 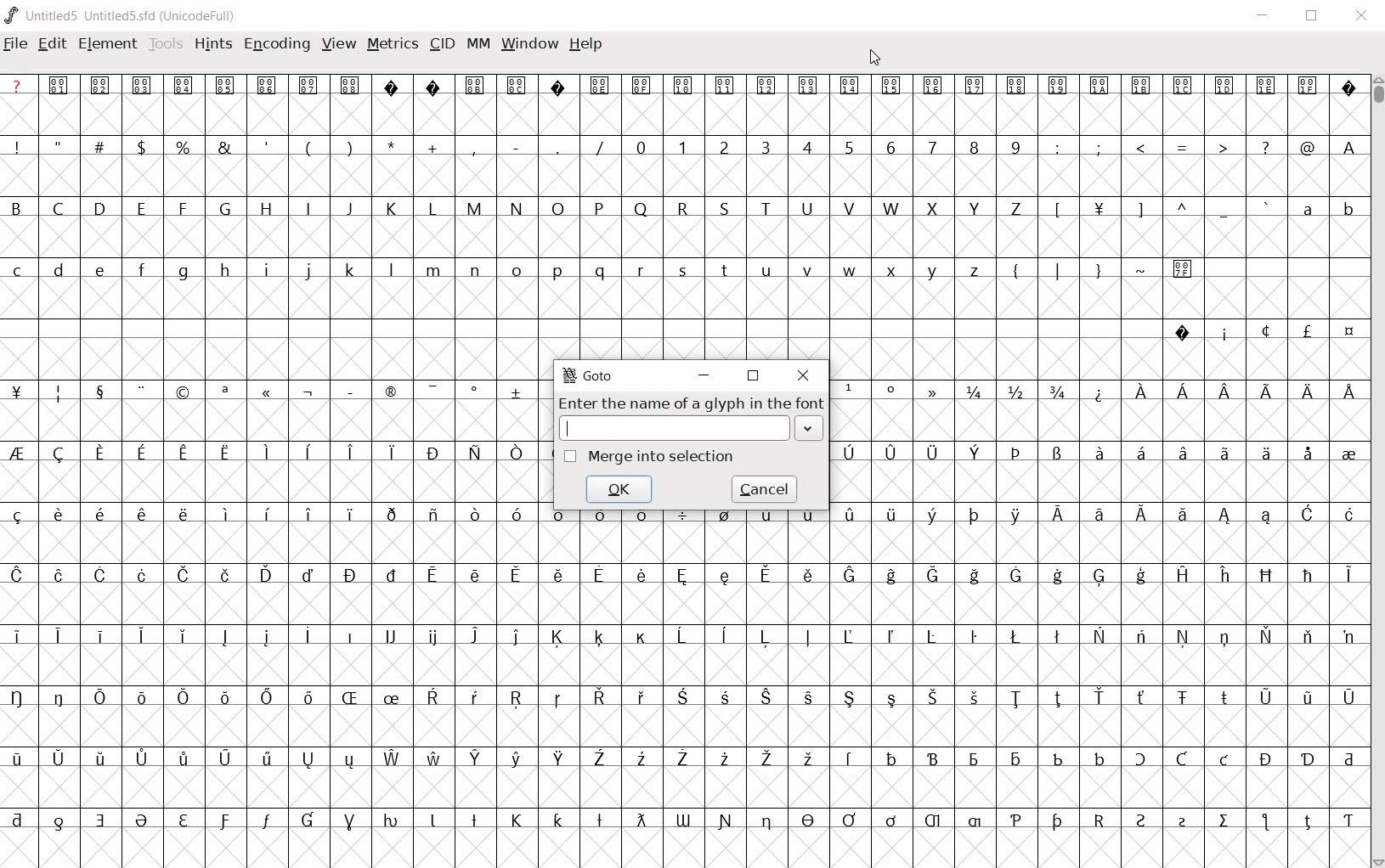 What do you see at coordinates (226, 270) in the screenshot?
I see `h` at bounding box center [226, 270].